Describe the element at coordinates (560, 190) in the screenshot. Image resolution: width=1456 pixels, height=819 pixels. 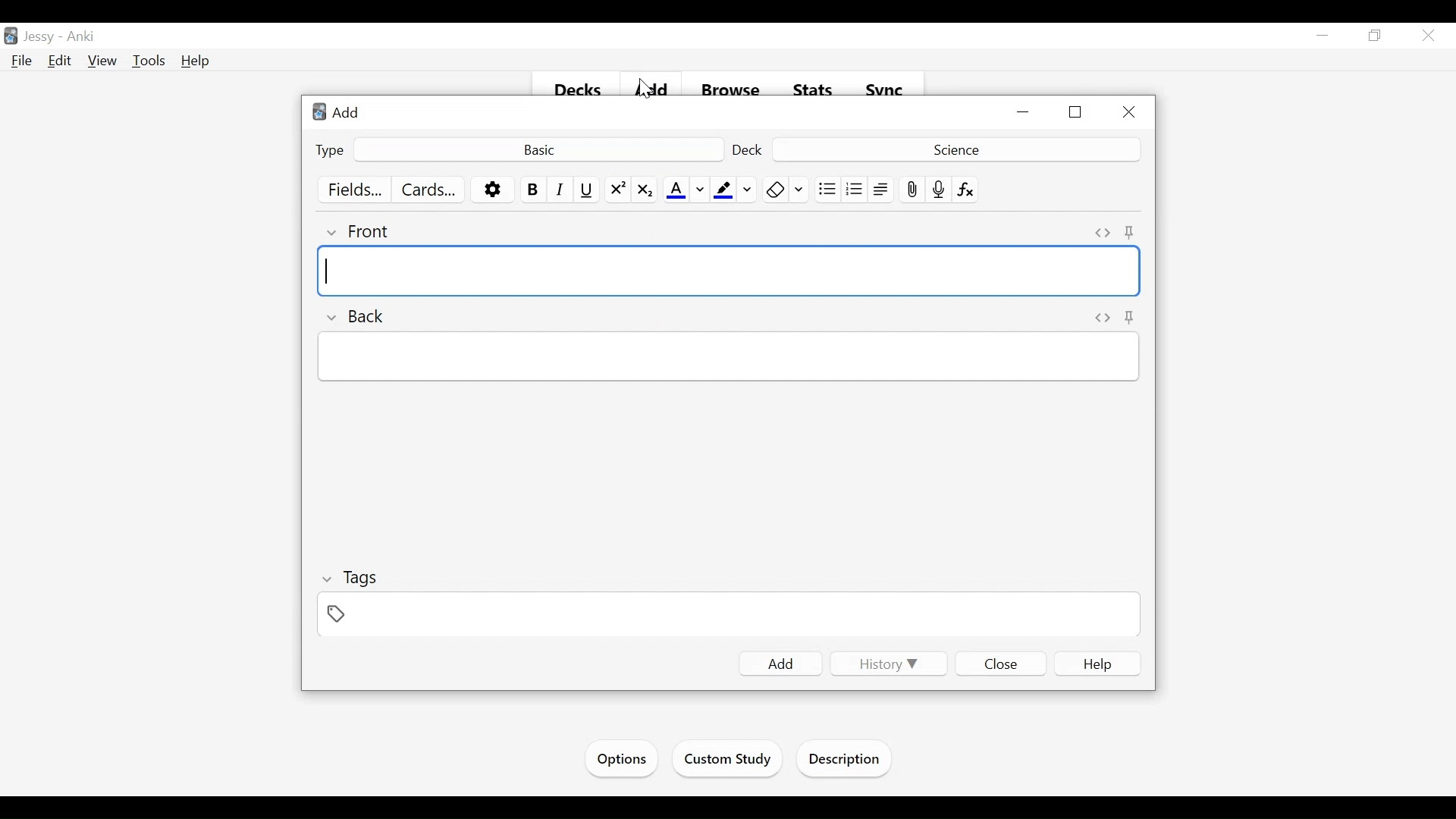
I see `Italics` at that location.